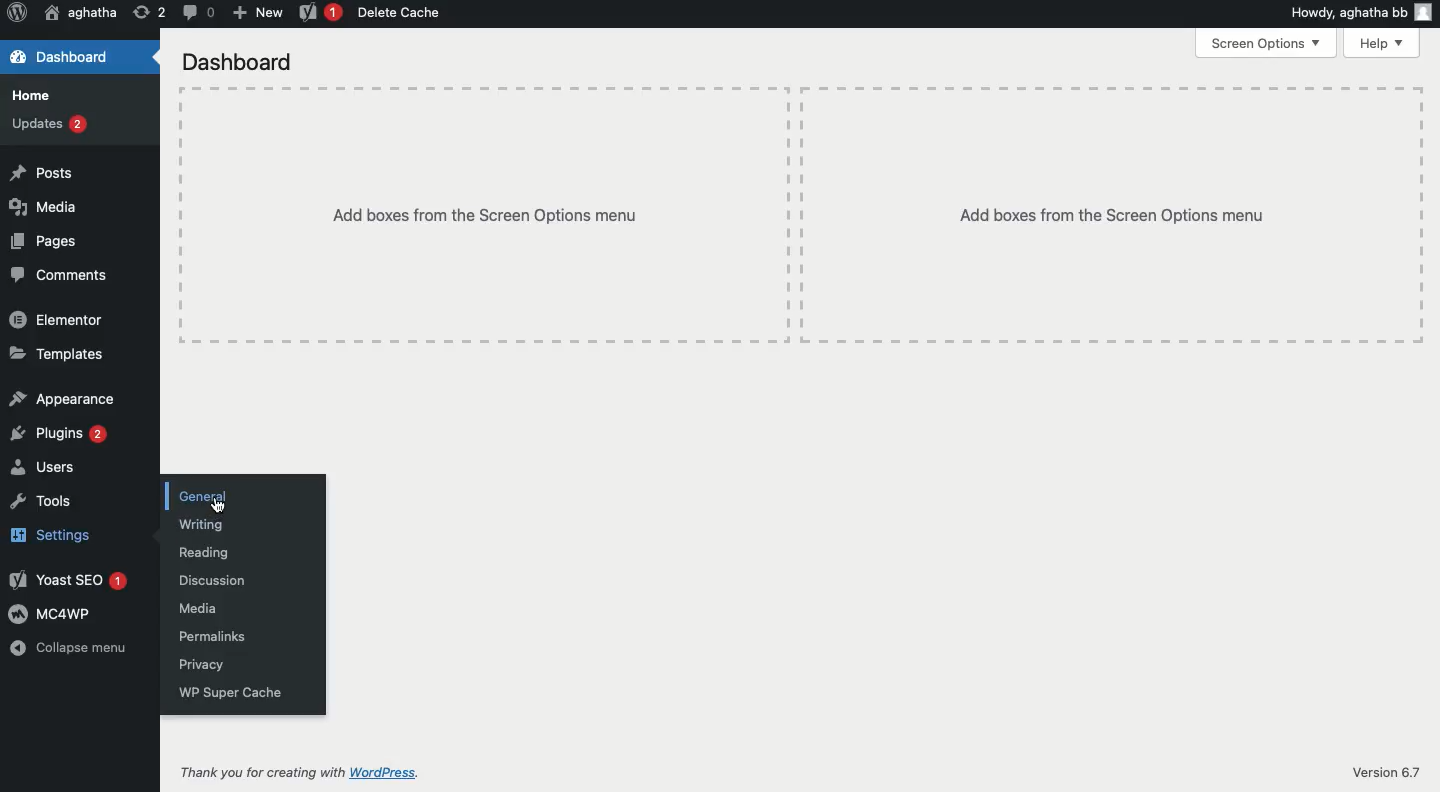  I want to click on Updates, so click(50, 124).